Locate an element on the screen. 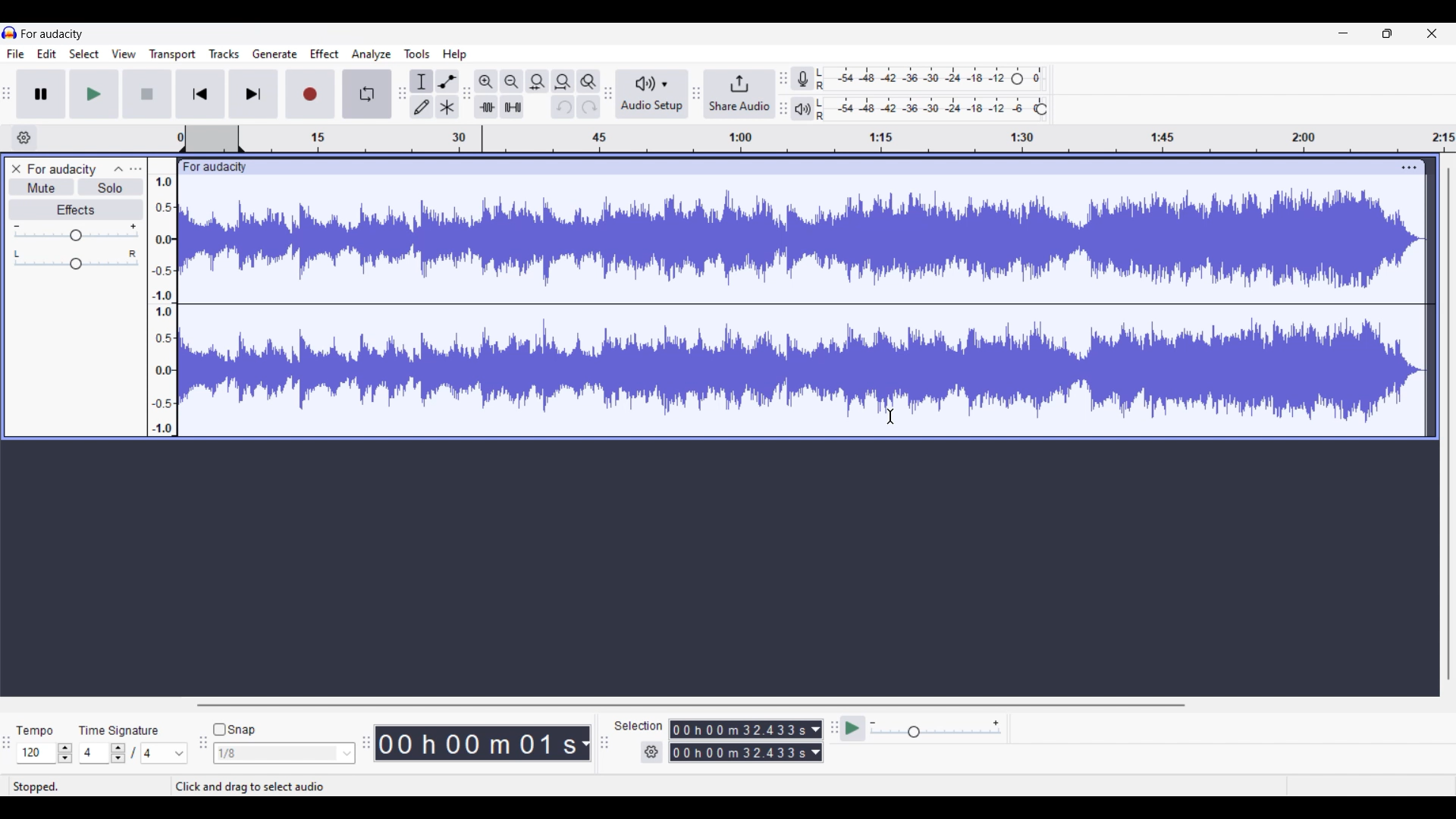 This screenshot has height=819, width=1456. Open menu is located at coordinates (136, 169).